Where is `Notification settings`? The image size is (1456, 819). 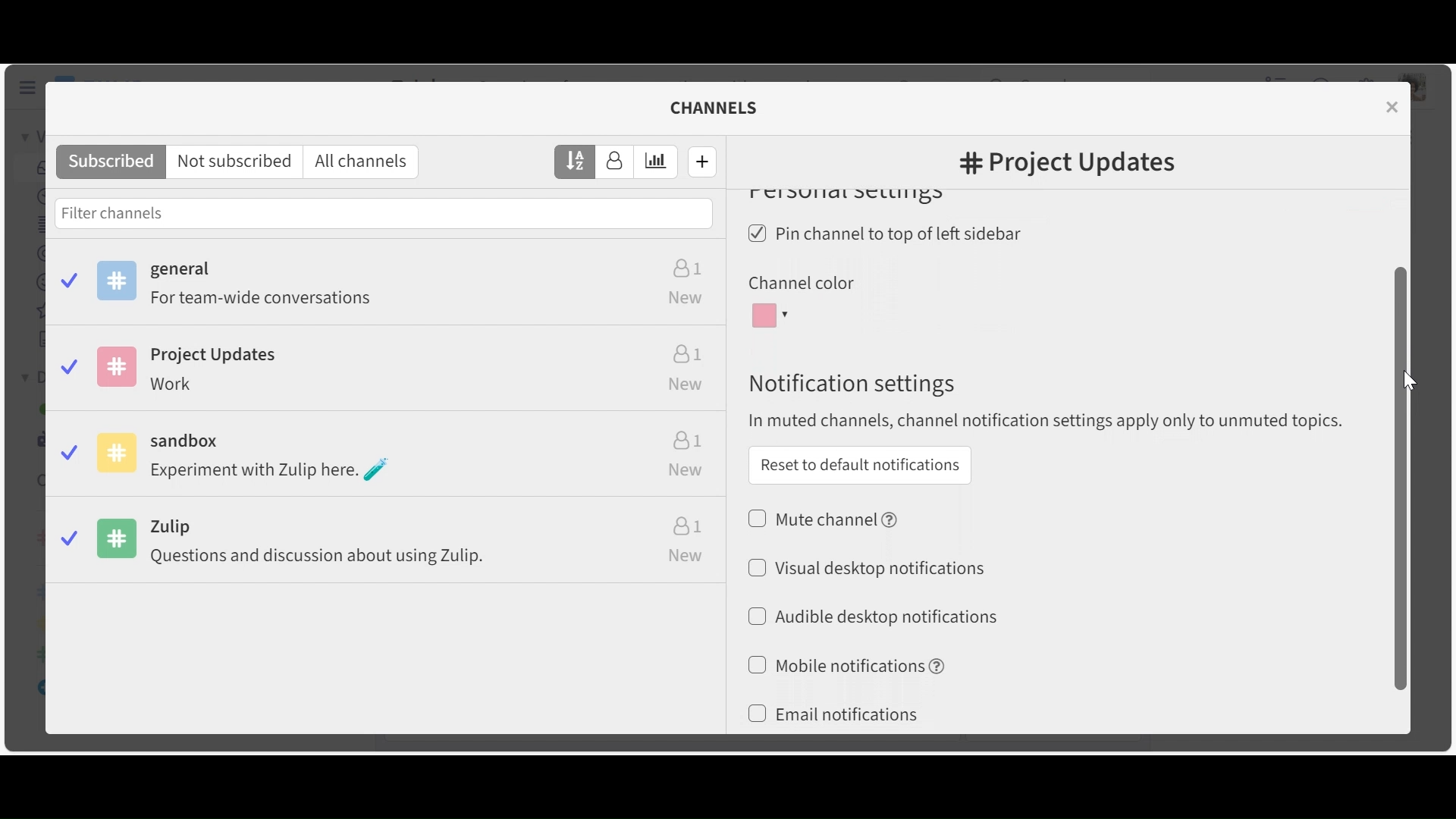
Notification settings is located at coordinates (849, 384).